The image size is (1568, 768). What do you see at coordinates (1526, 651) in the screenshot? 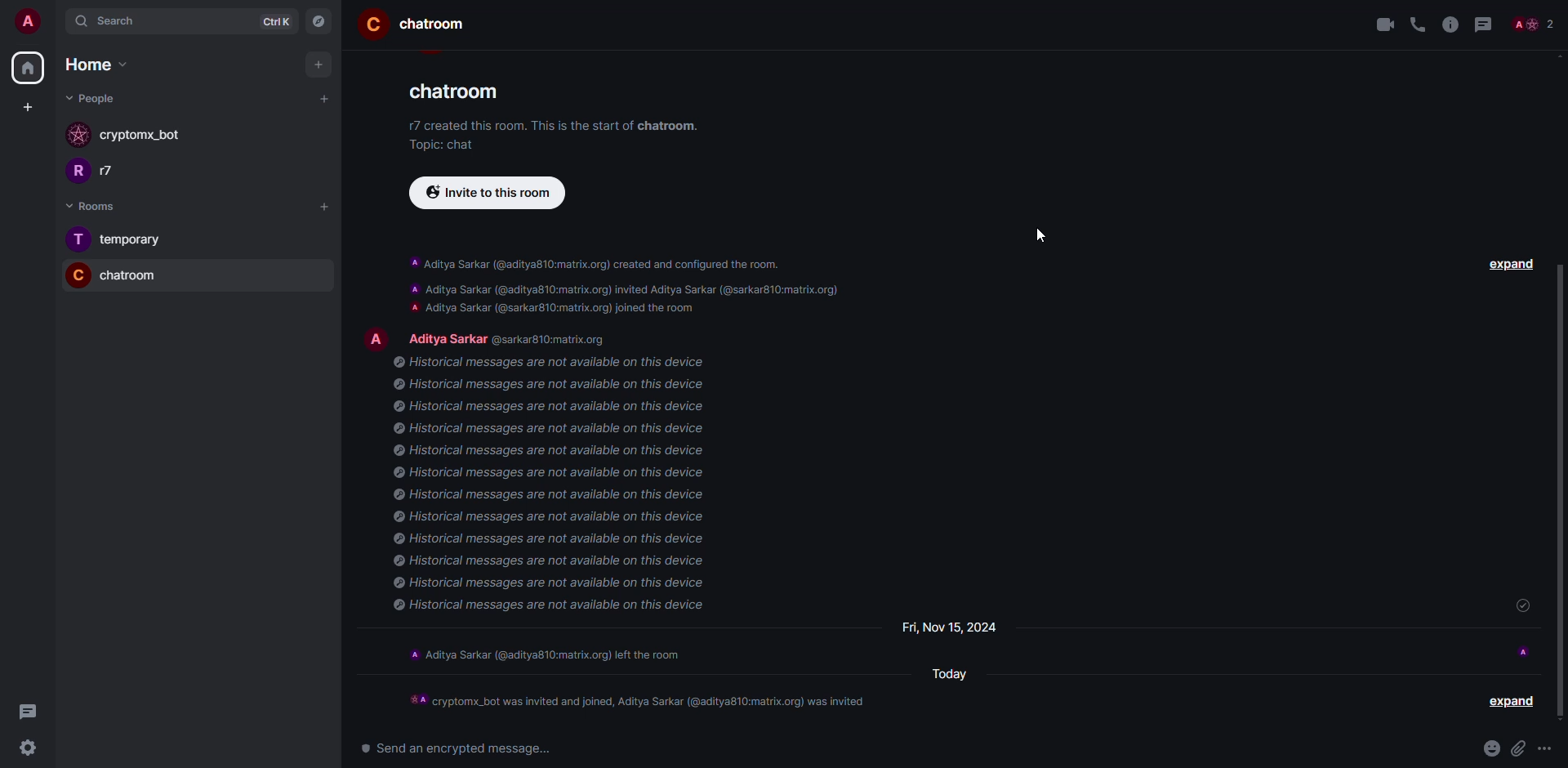
I see `seen` at bounding box center [1526, 651].